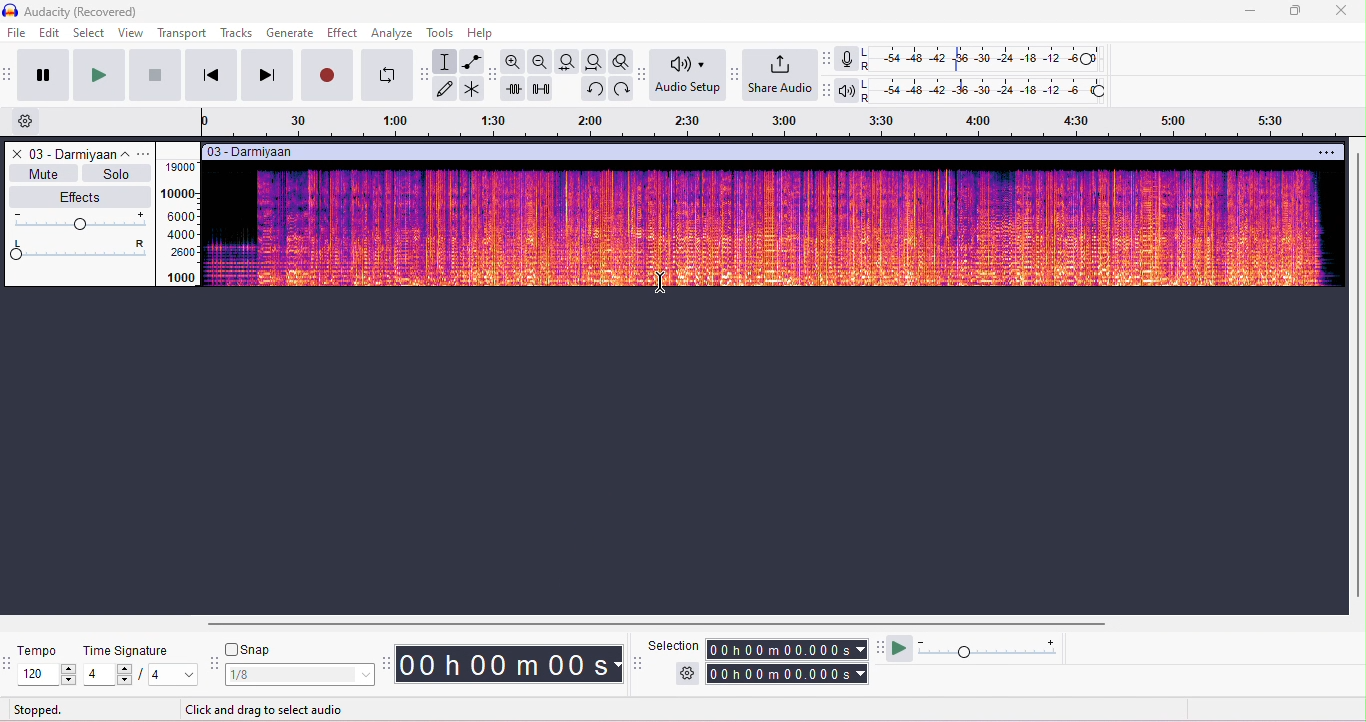 Image resolution: width=1366 pixels, height=722 pixels. Describe the element at coordinates (674, 646) in the screenshot. I see `selection` at that location.